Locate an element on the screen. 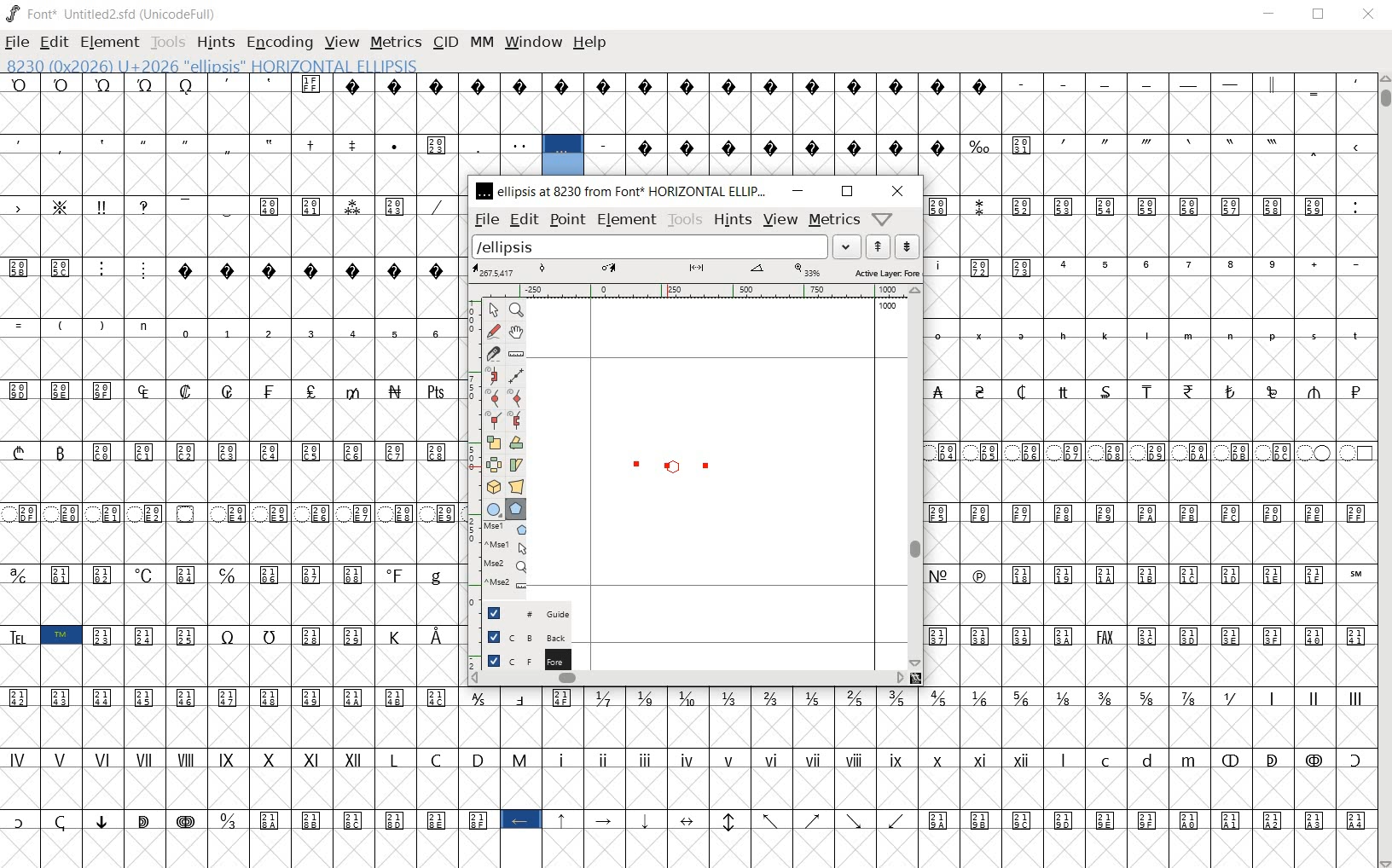  active layer: FOREGROUND is located at coordinates (698, 271).